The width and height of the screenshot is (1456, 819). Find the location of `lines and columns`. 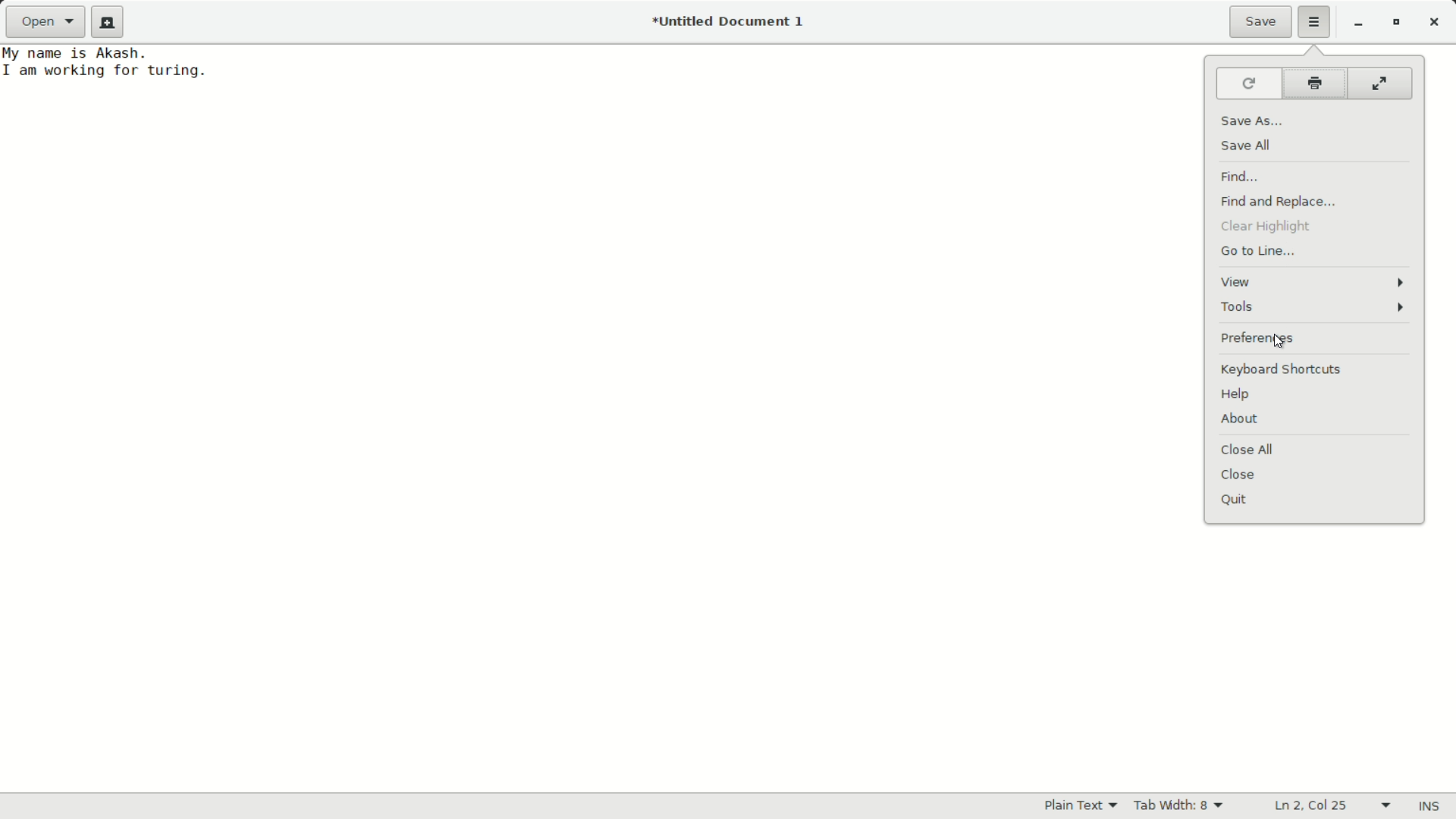

lines and columns is located at coordinates (1335, 806).